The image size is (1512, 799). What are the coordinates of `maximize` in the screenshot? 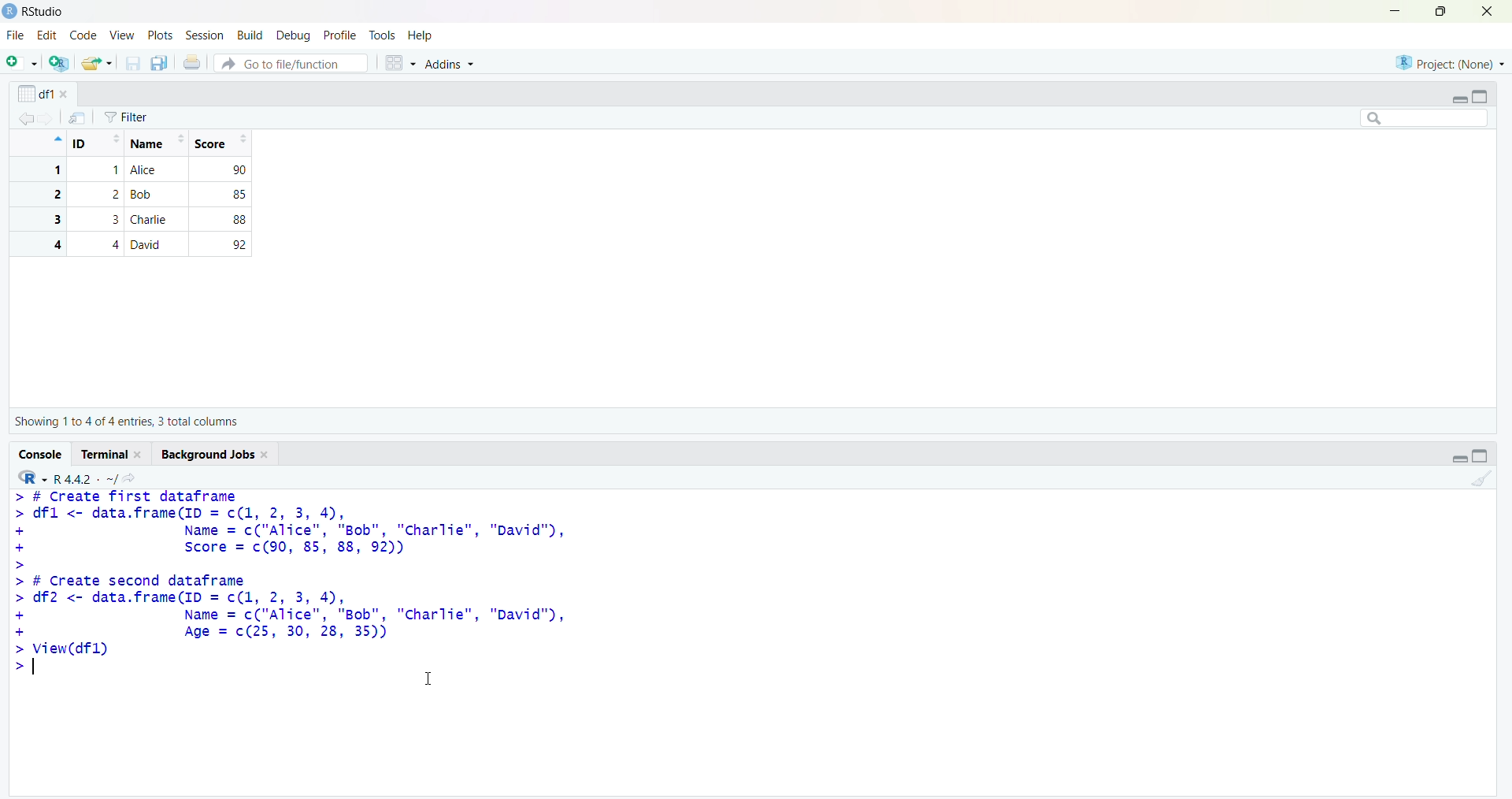 It's located at (1443, 11).